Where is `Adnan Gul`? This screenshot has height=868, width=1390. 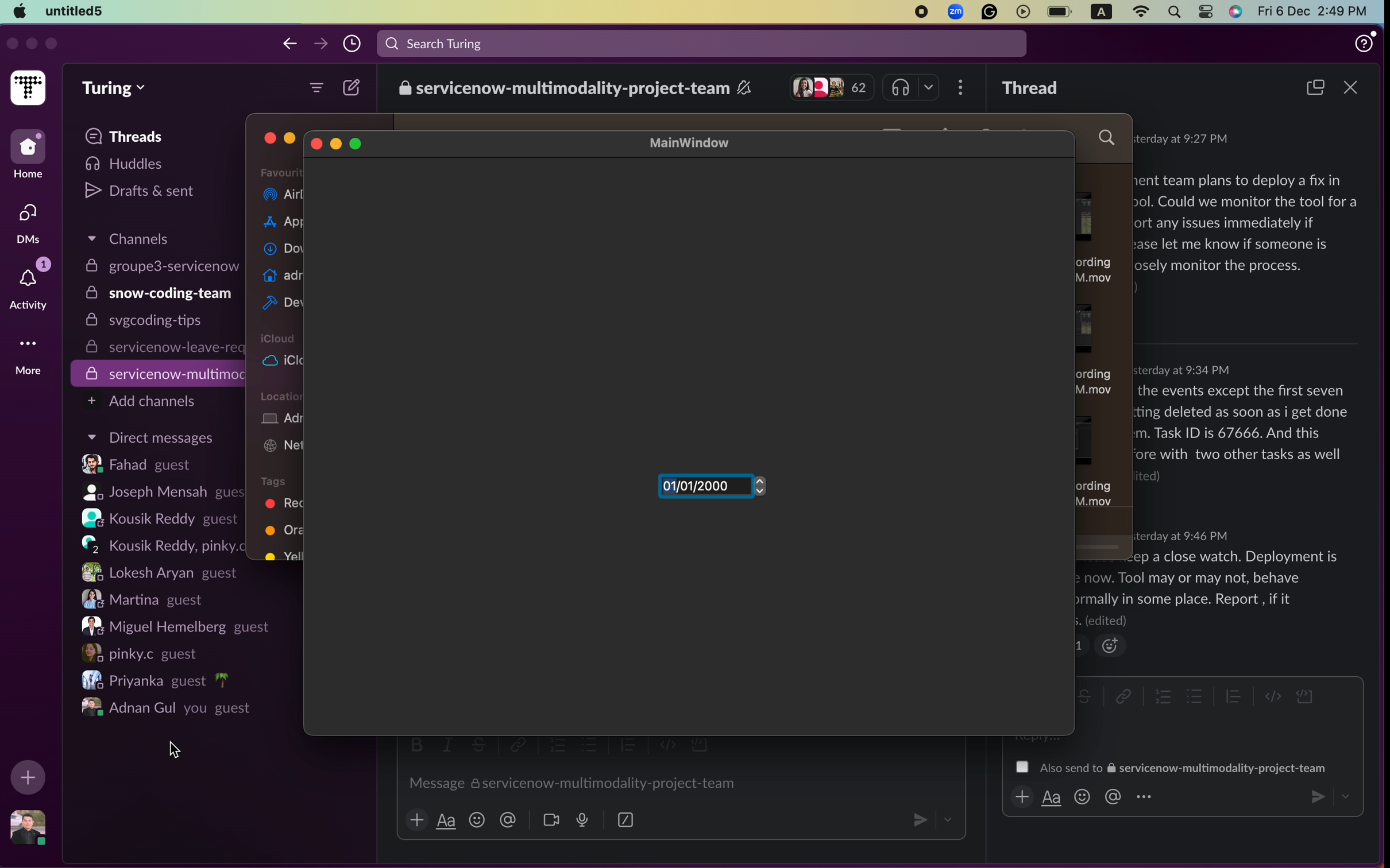 Adnan Gul is located at coordinates (171, 710).